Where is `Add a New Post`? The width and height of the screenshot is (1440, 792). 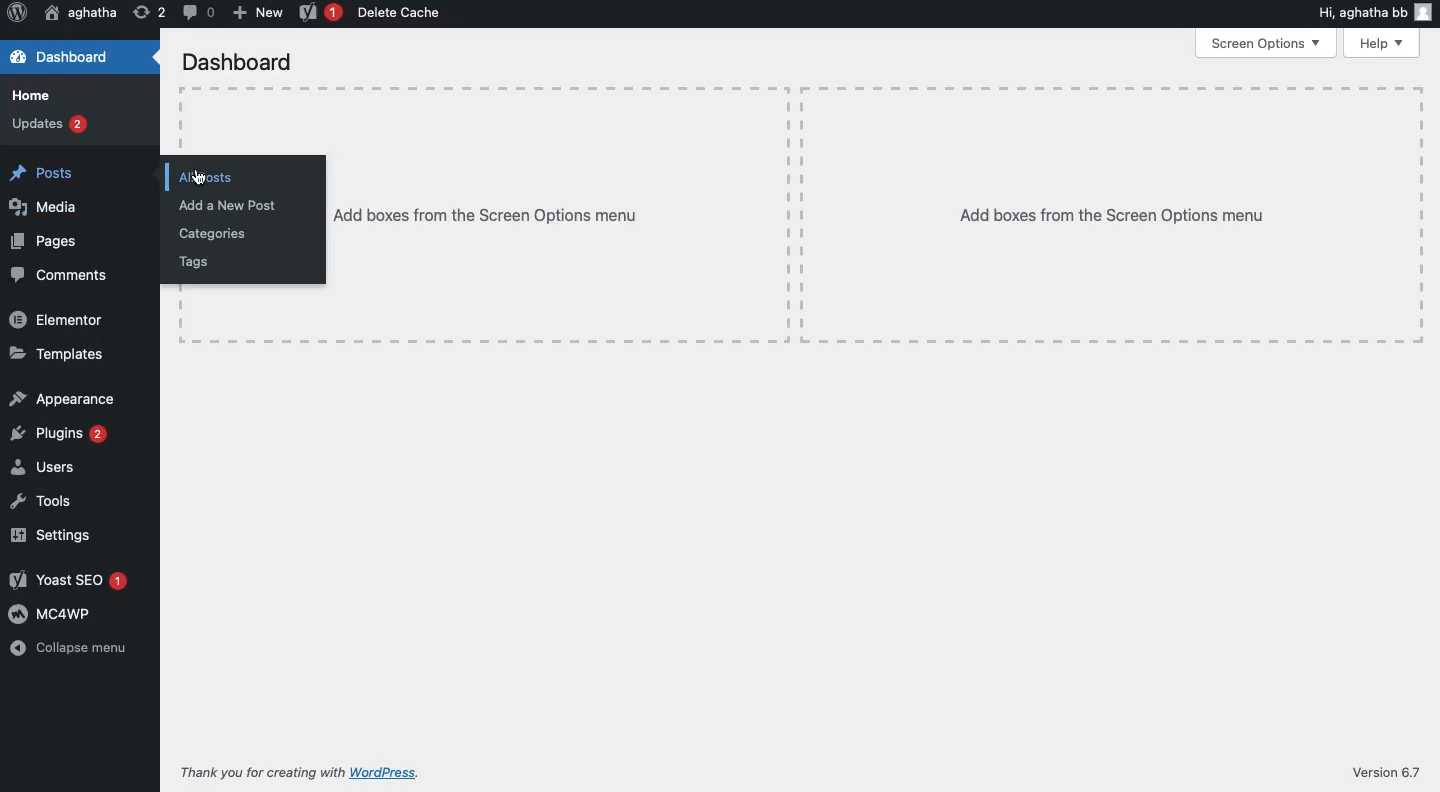 Add a New Post is located at coordinates (227, 205).